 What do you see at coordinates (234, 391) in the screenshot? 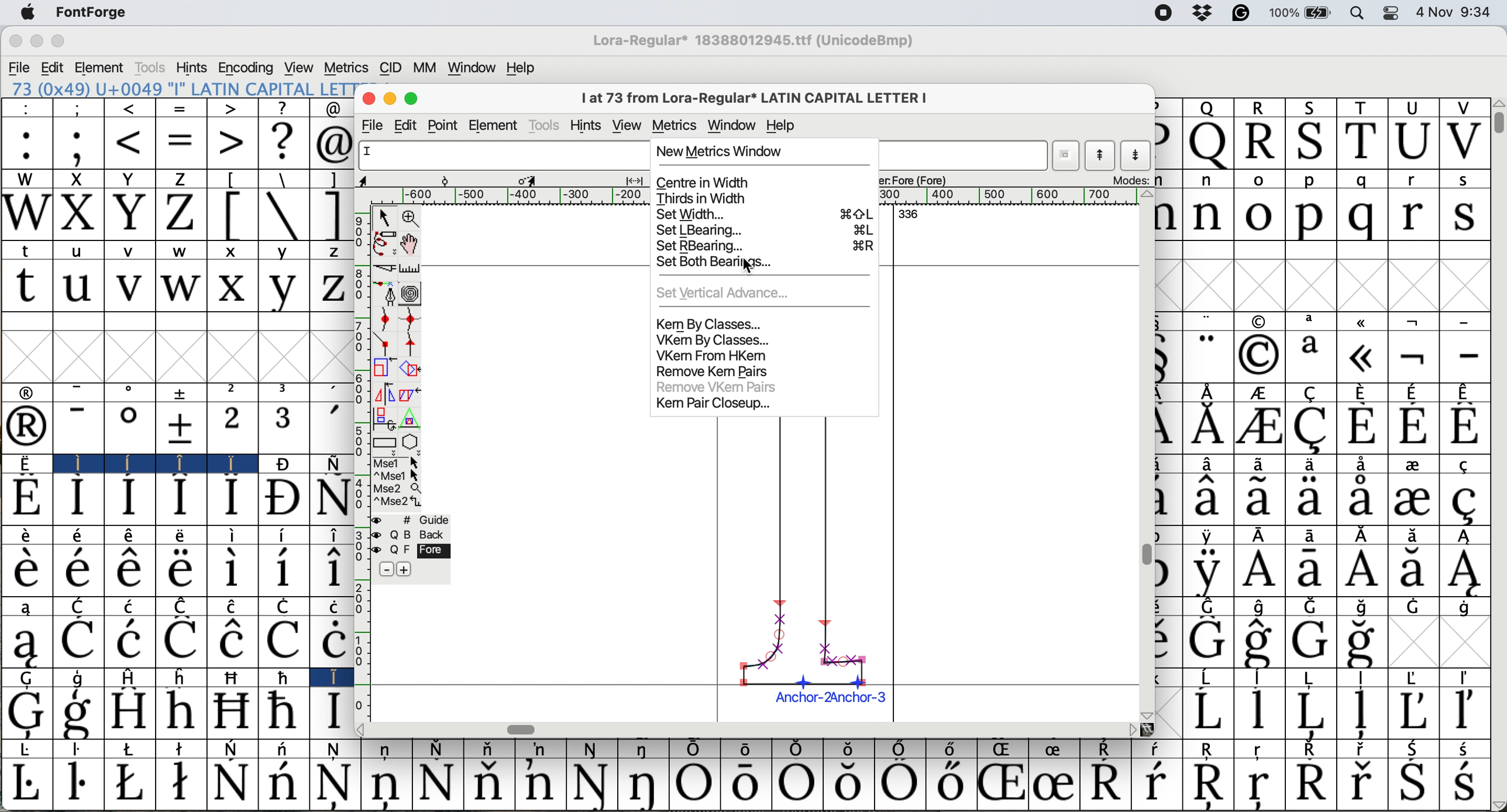
I see `2` at bounding box center [234, 391].